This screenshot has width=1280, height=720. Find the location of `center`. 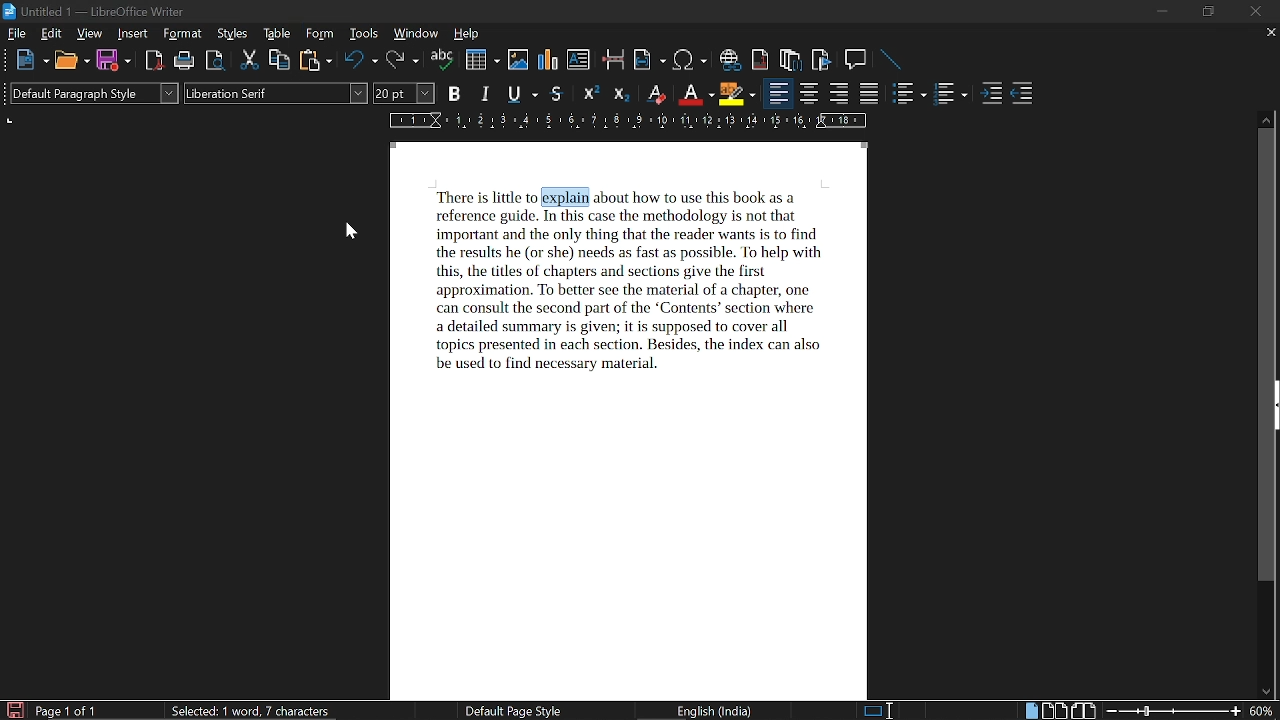

center is located at coordinates (810, 94).